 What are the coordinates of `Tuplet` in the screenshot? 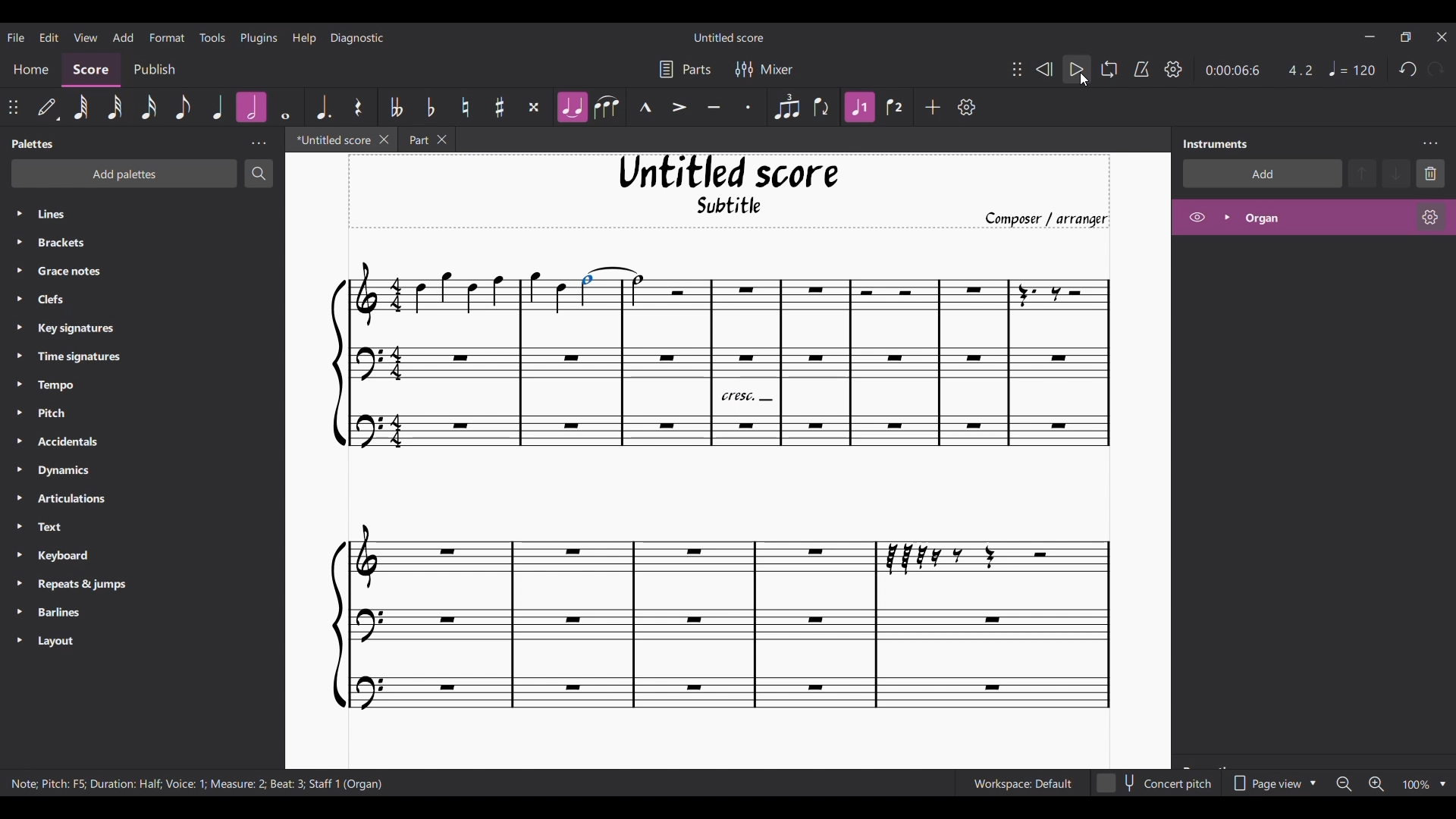 It's located at (786, 108).